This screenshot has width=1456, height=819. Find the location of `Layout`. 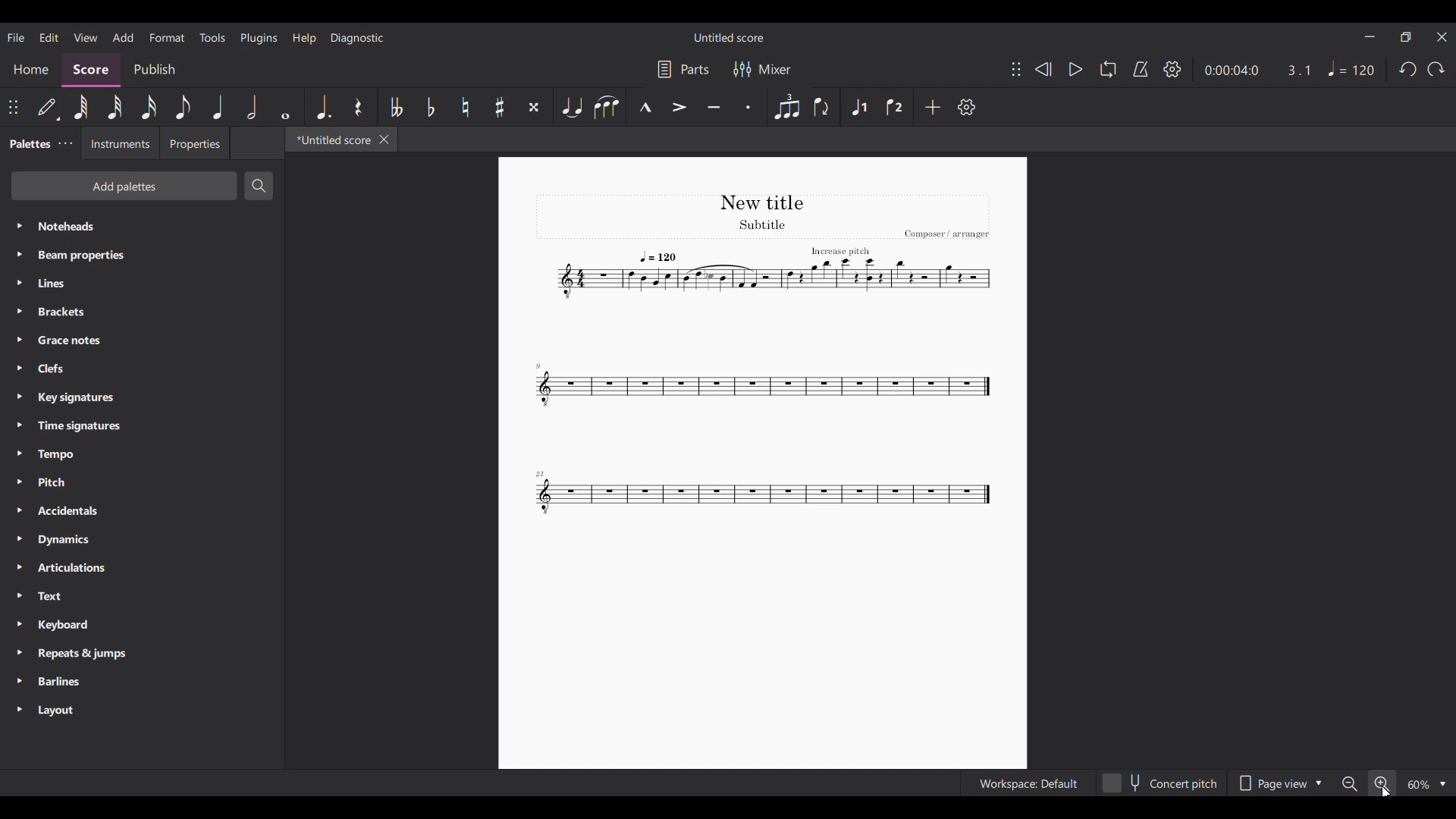

Layout is located at coordinates (142, 709).